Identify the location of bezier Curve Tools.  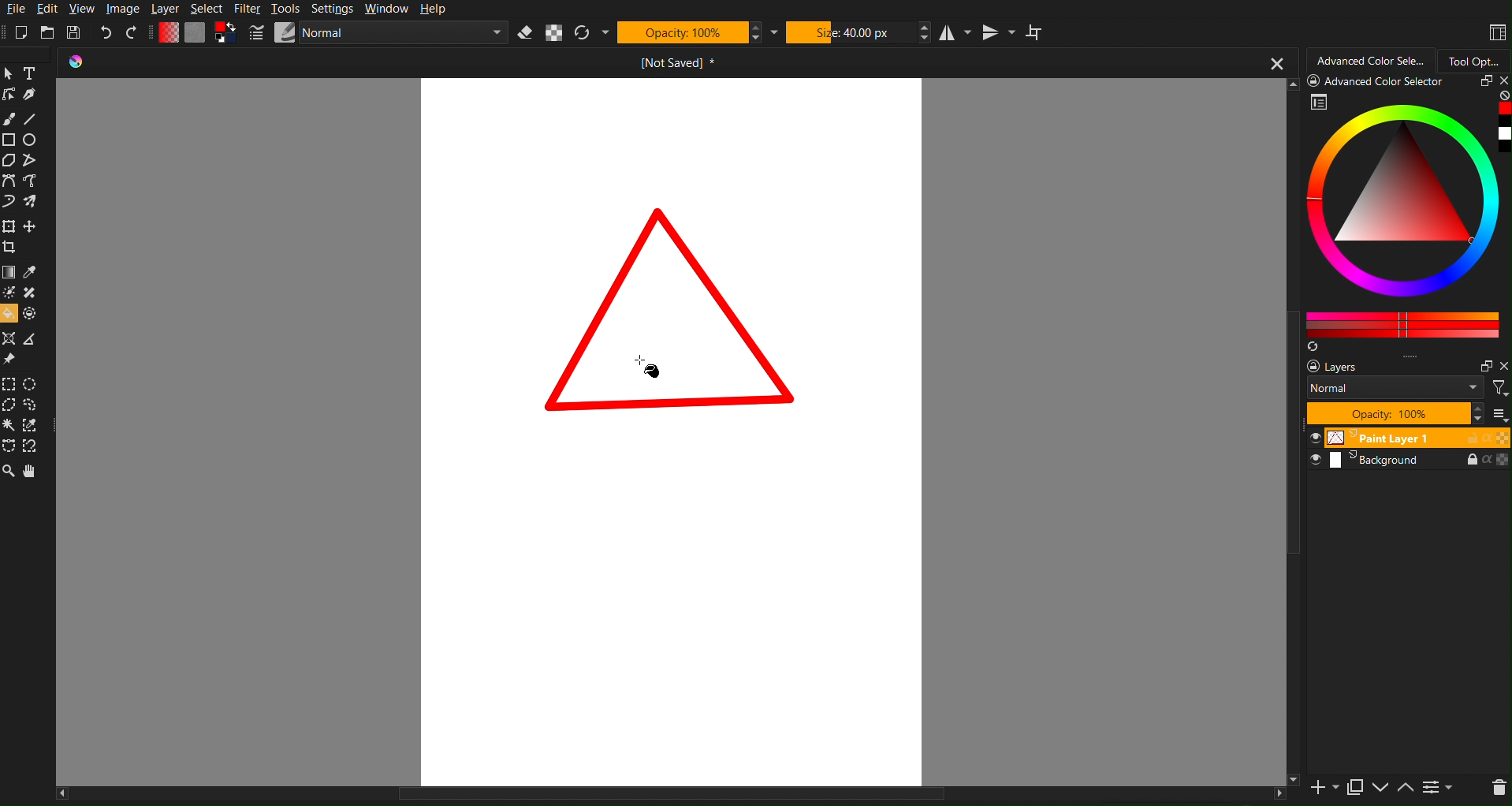
(9, 181).